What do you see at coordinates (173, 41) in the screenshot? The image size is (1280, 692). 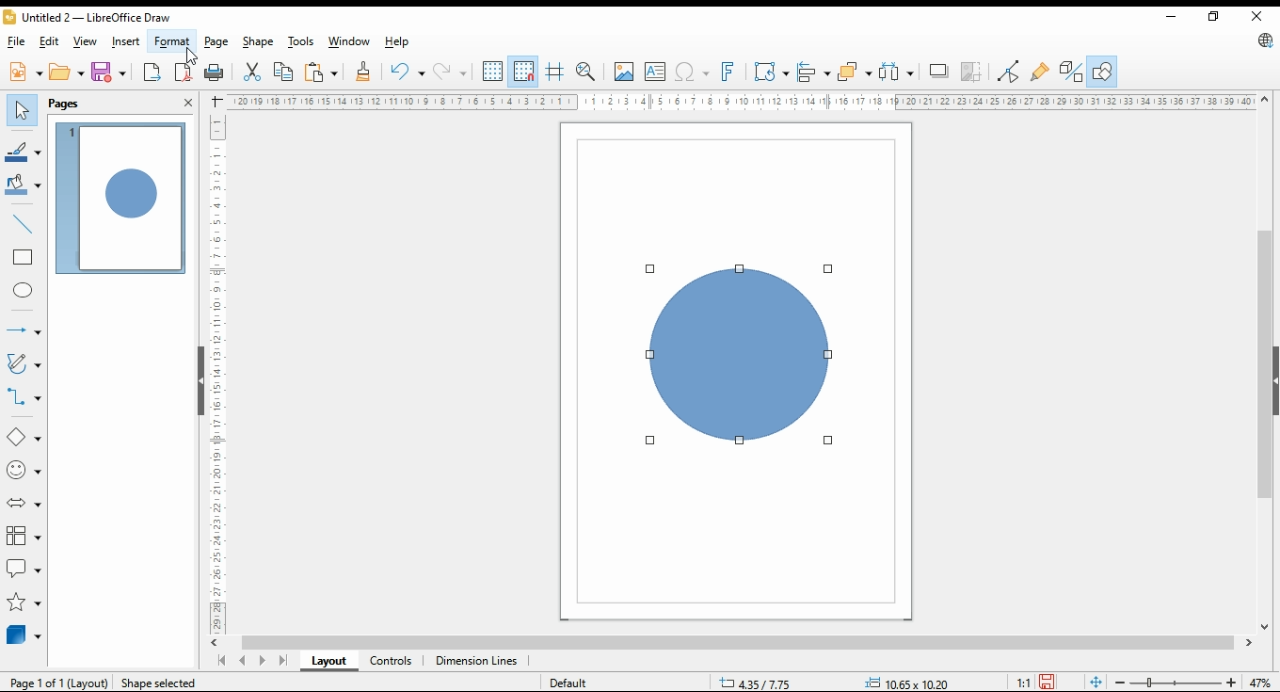 I see `format` at bounding box center [173, 41].